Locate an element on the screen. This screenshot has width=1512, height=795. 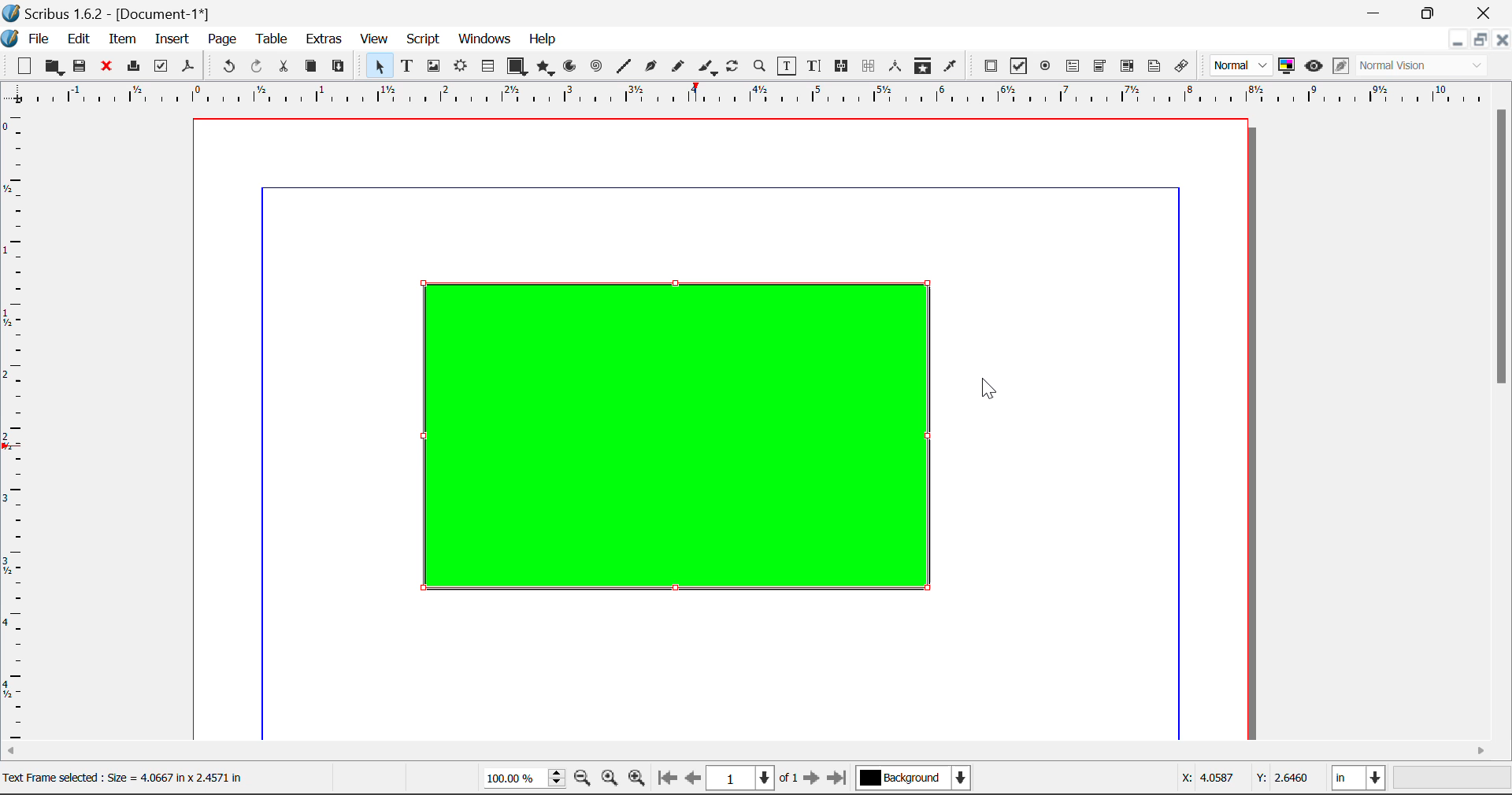
Measurements is located at coordinates (898, 66).